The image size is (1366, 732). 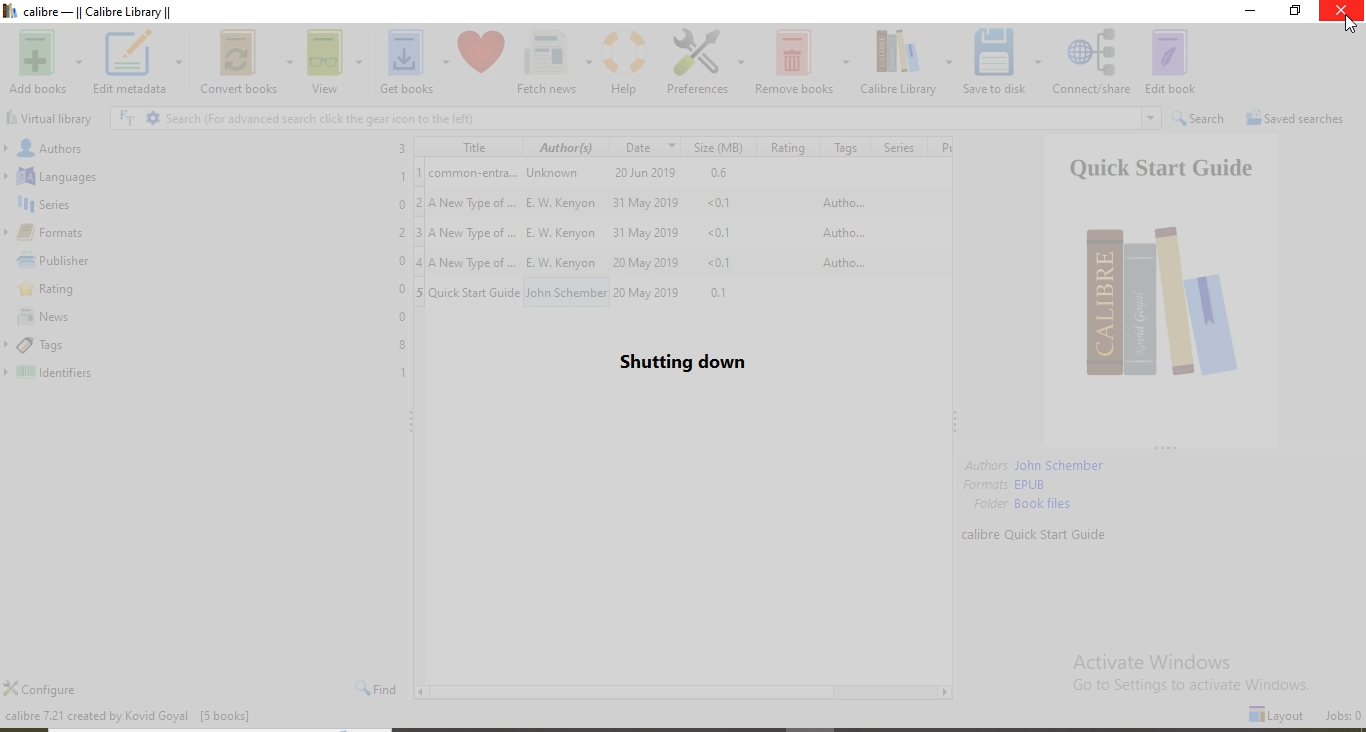 What do you see at coordinates (565, 292) in the screenshot?
I see `John Schember` at bounding box center [565, 292].